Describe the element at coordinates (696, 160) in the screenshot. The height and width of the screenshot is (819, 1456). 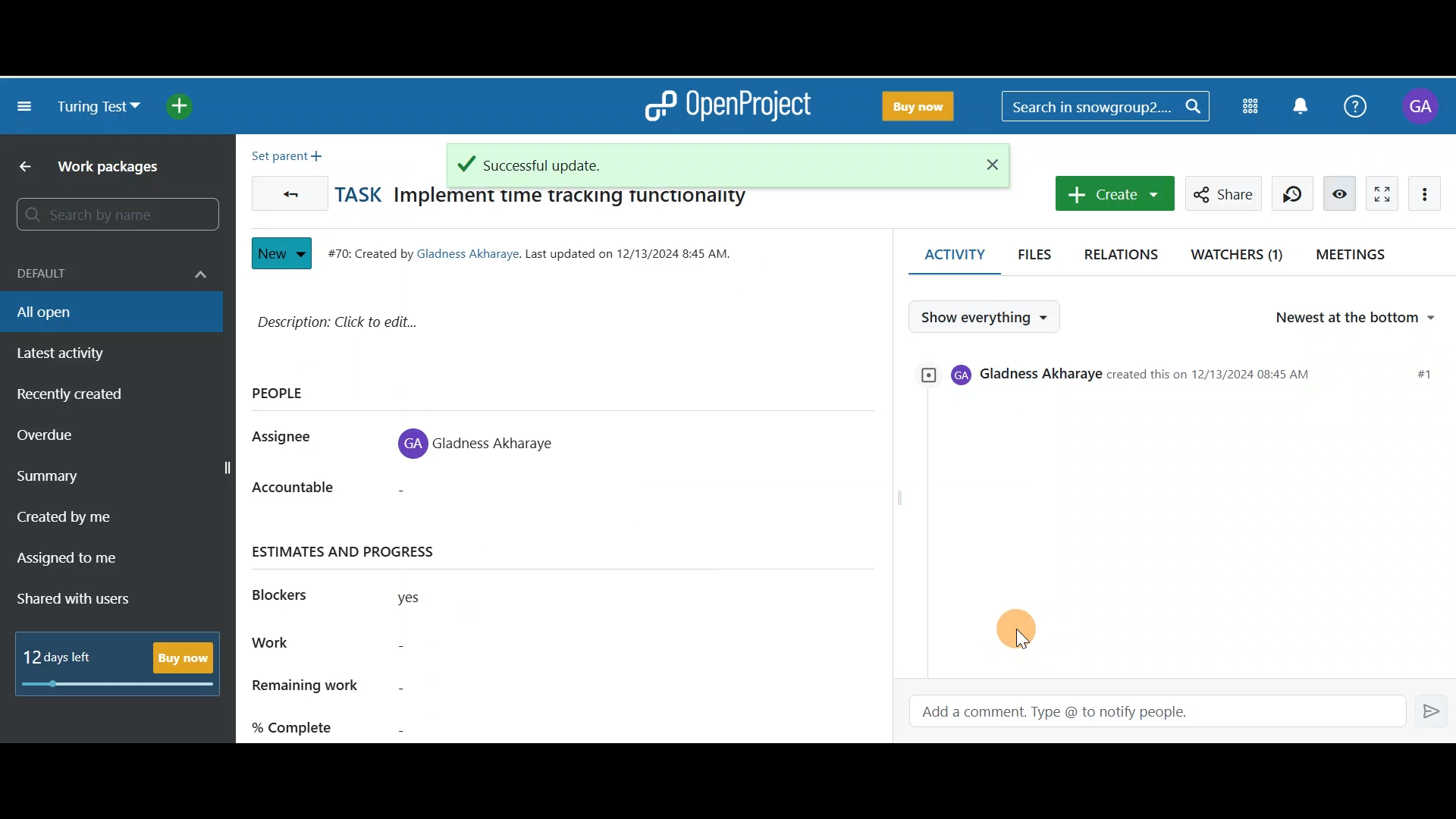
I see `Successful update.` at that location.